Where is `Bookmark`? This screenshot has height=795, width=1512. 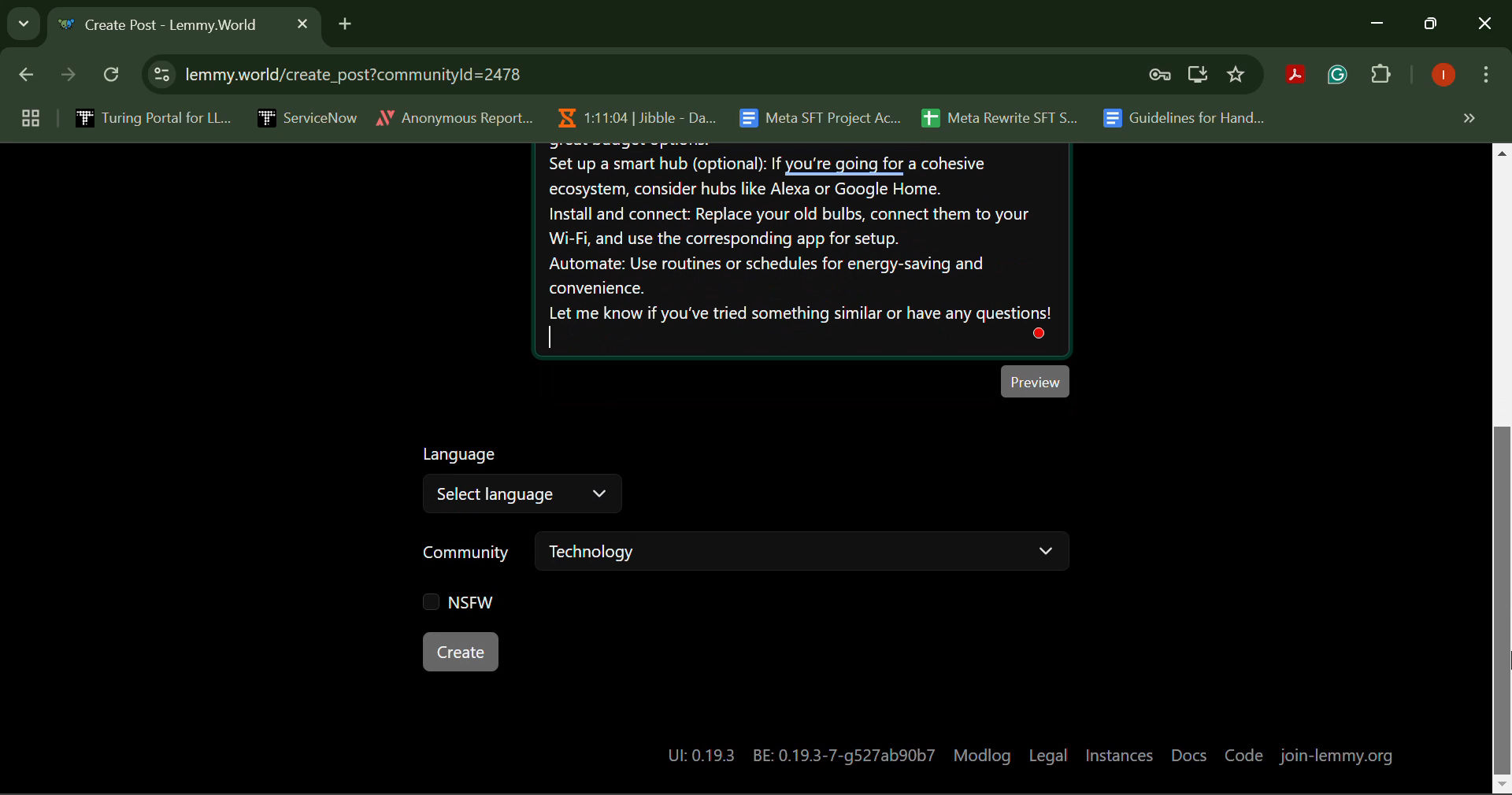 Bookmark is located at coordinates (1237, 75).